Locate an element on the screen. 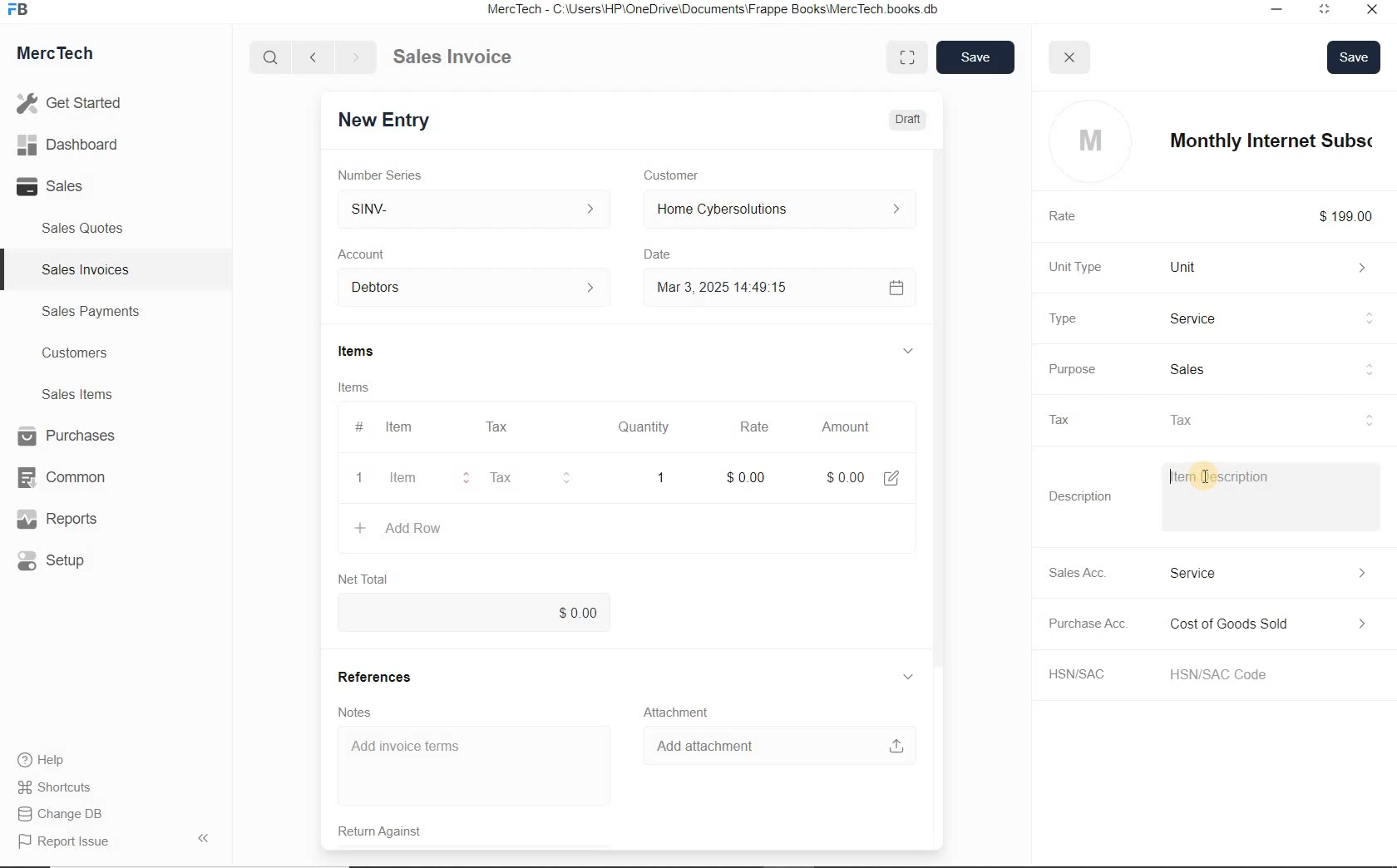  Dashboard is located at coordinates (76, 145).